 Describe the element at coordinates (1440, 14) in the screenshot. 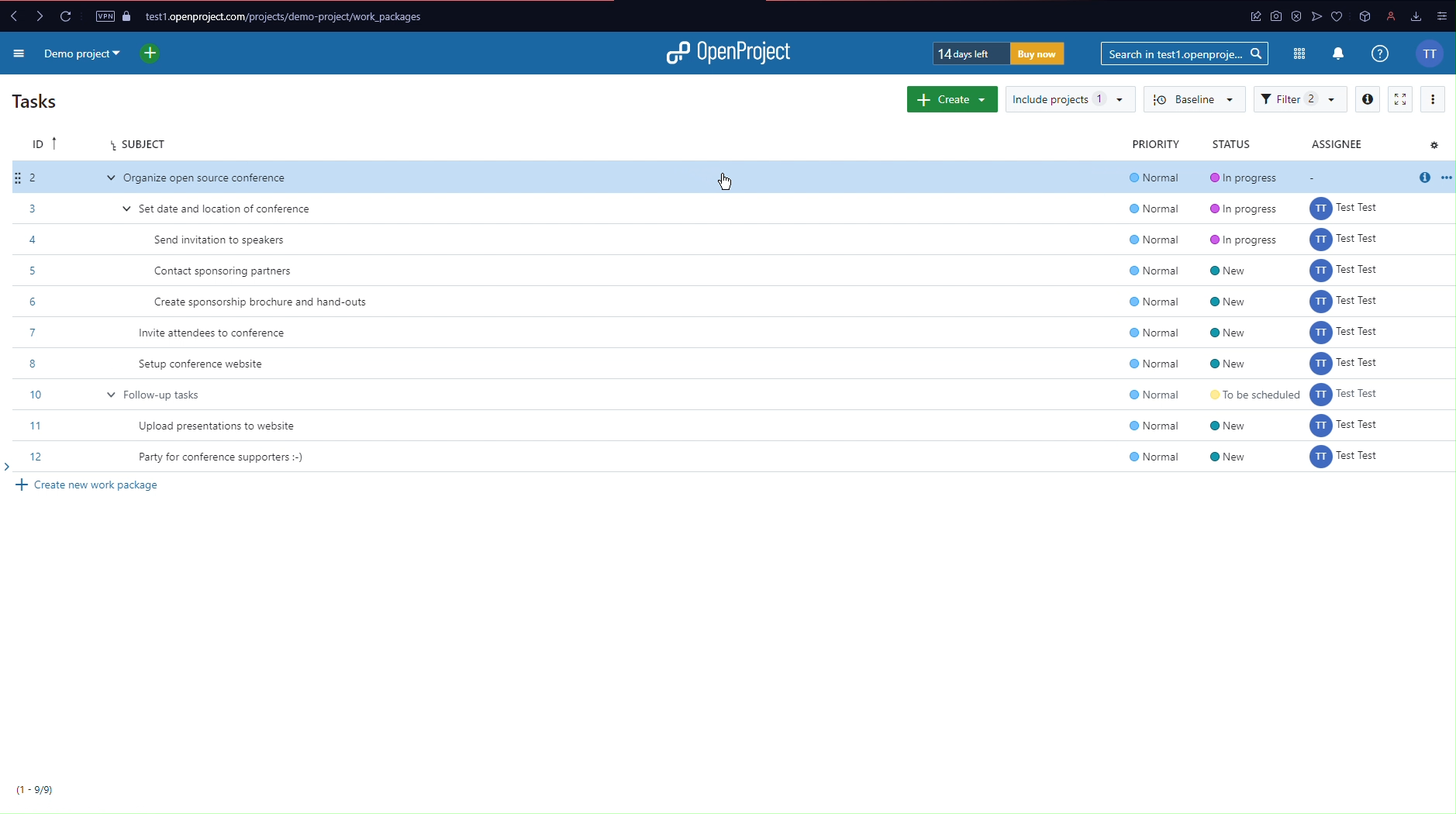

I see `options` at that location.